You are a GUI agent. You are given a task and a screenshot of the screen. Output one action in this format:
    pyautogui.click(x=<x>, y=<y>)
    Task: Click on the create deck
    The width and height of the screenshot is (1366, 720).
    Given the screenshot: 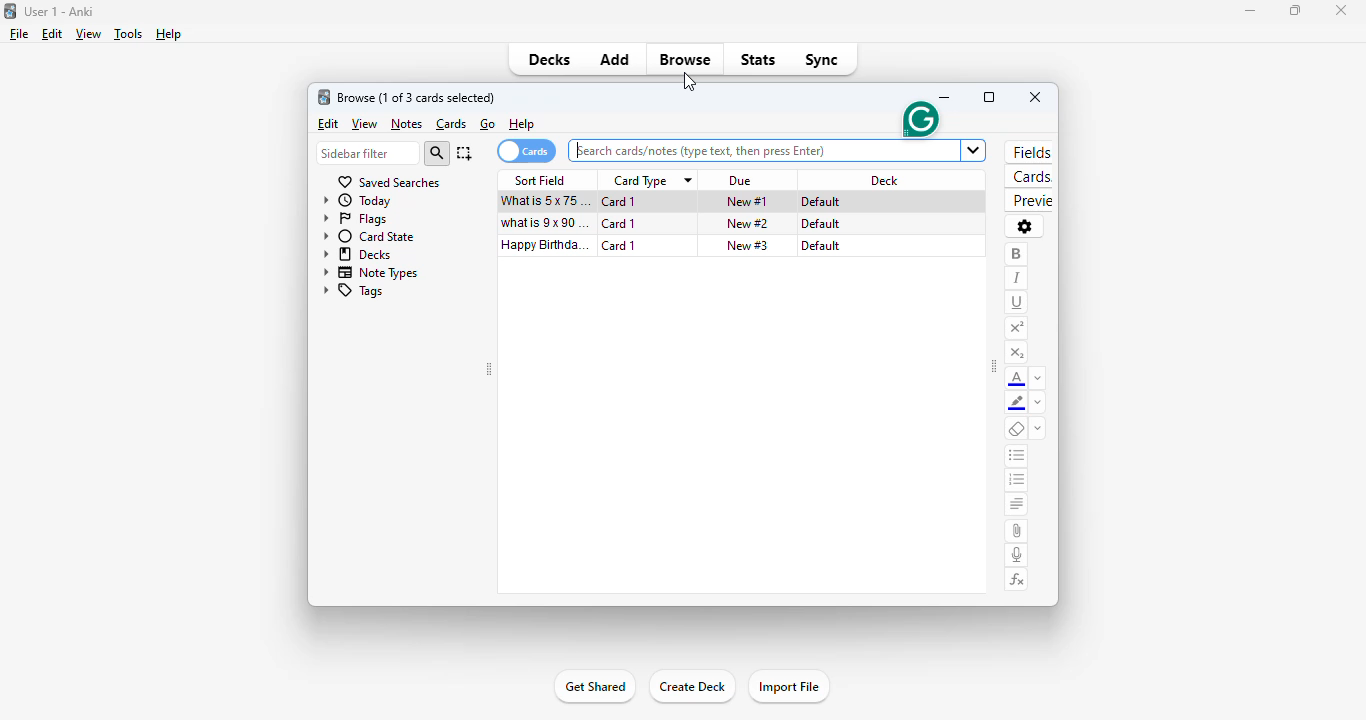 What is the action you would take?
    pyautogui.click(x=692, y=688)
    